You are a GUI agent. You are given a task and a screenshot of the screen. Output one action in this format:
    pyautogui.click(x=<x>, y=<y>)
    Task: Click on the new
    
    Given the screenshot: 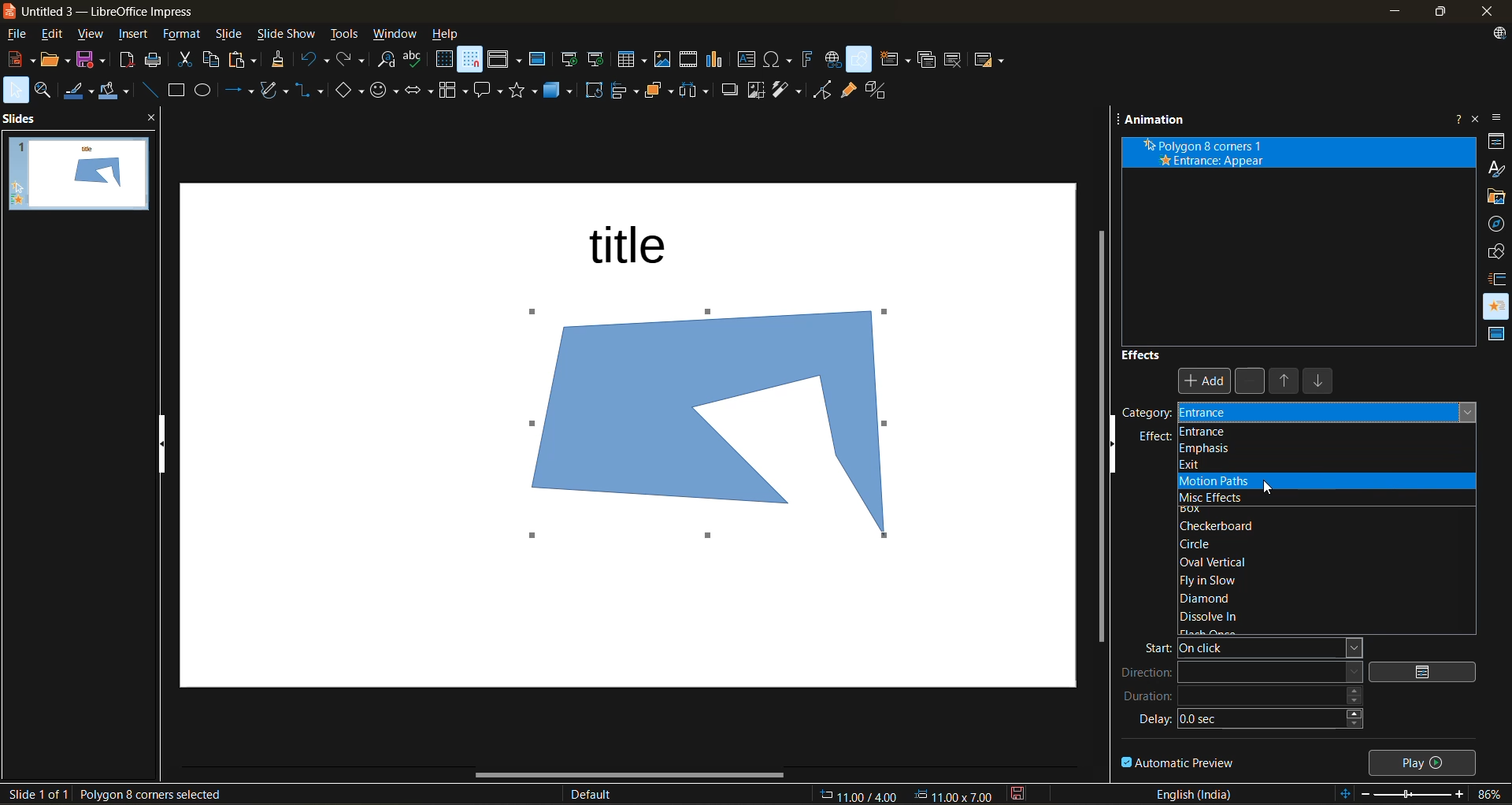 What is the action you would take?
    pyautogui.click(x=19, y=59)
    